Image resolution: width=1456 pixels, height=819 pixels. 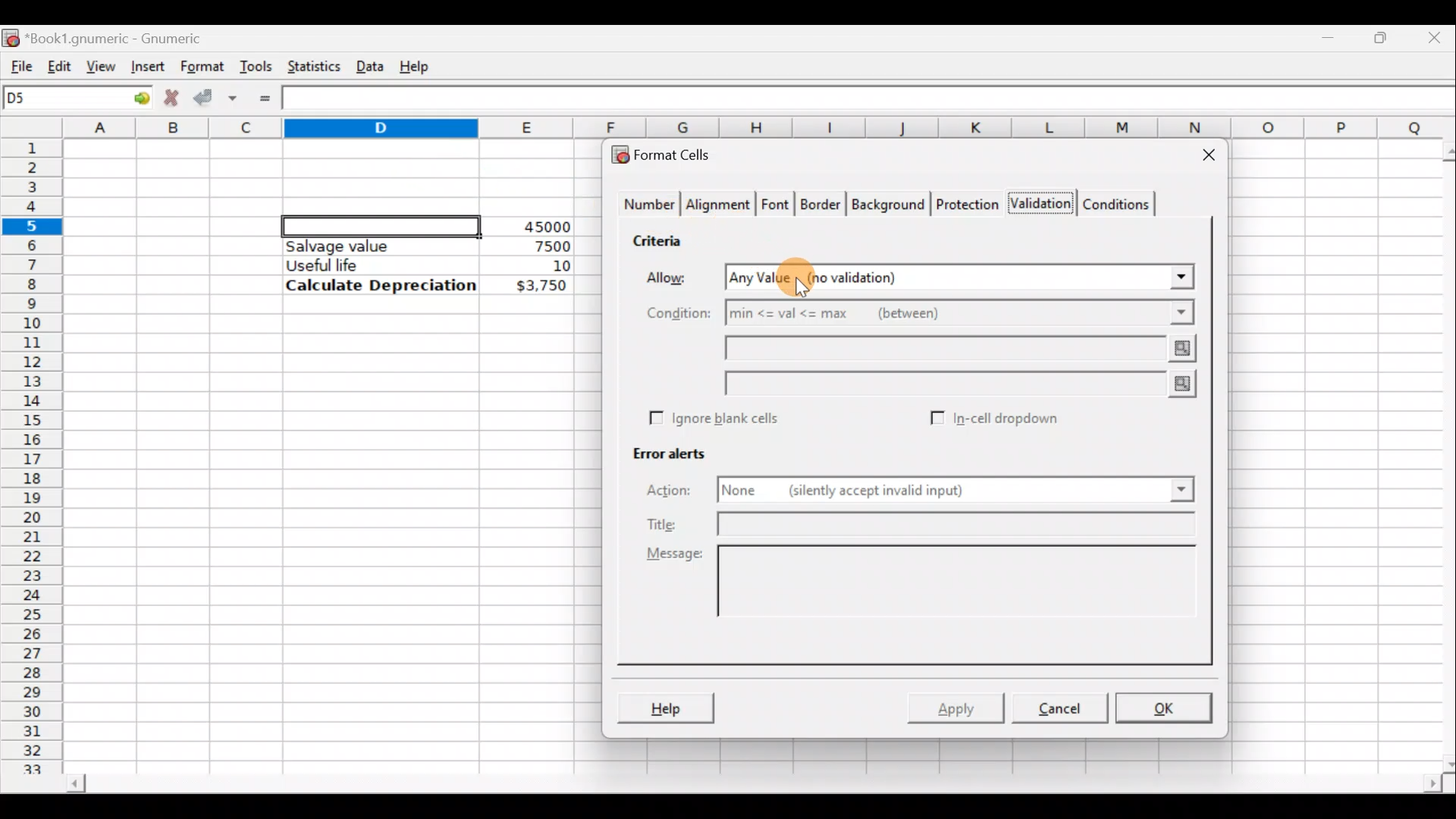 I want to click on Action drop down, so click(x=1169, y=490).